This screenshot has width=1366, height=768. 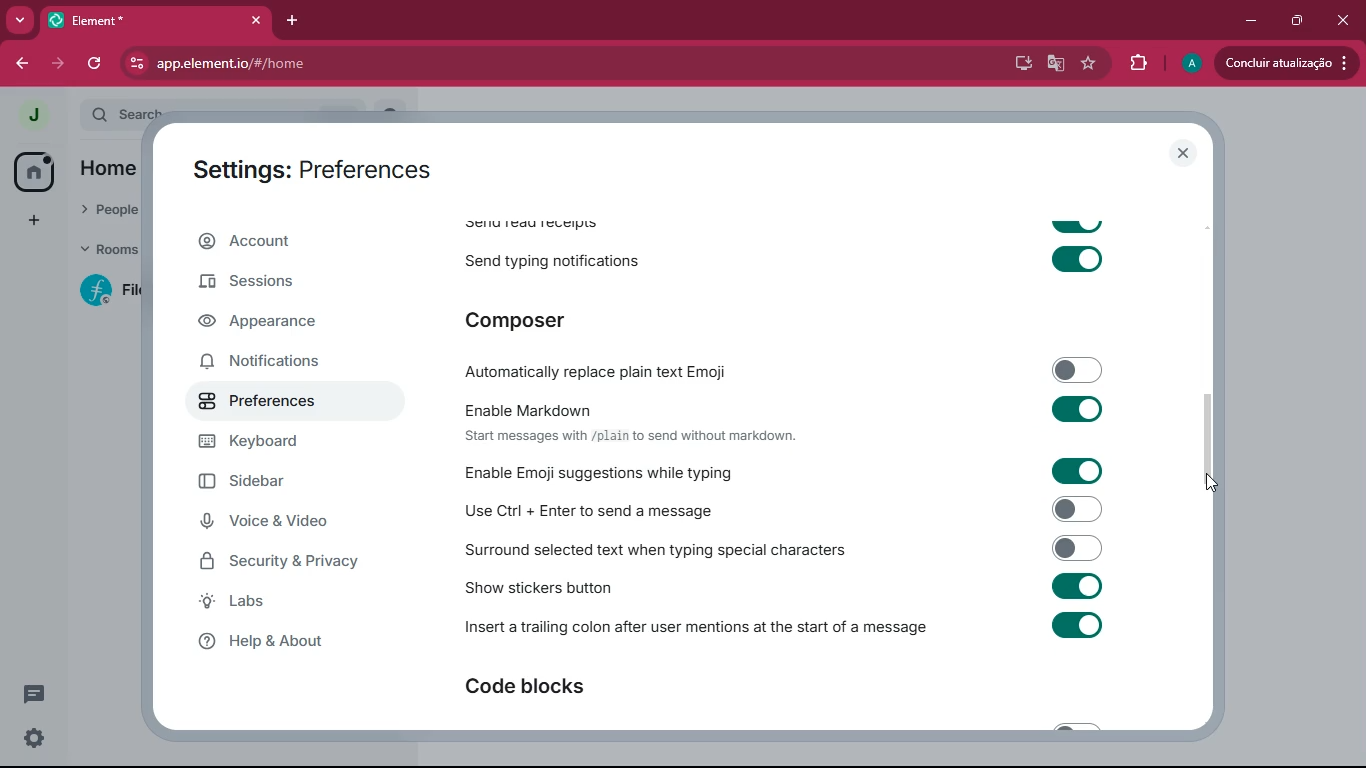 I want to click on extensions, so click(x=1138, y=63).